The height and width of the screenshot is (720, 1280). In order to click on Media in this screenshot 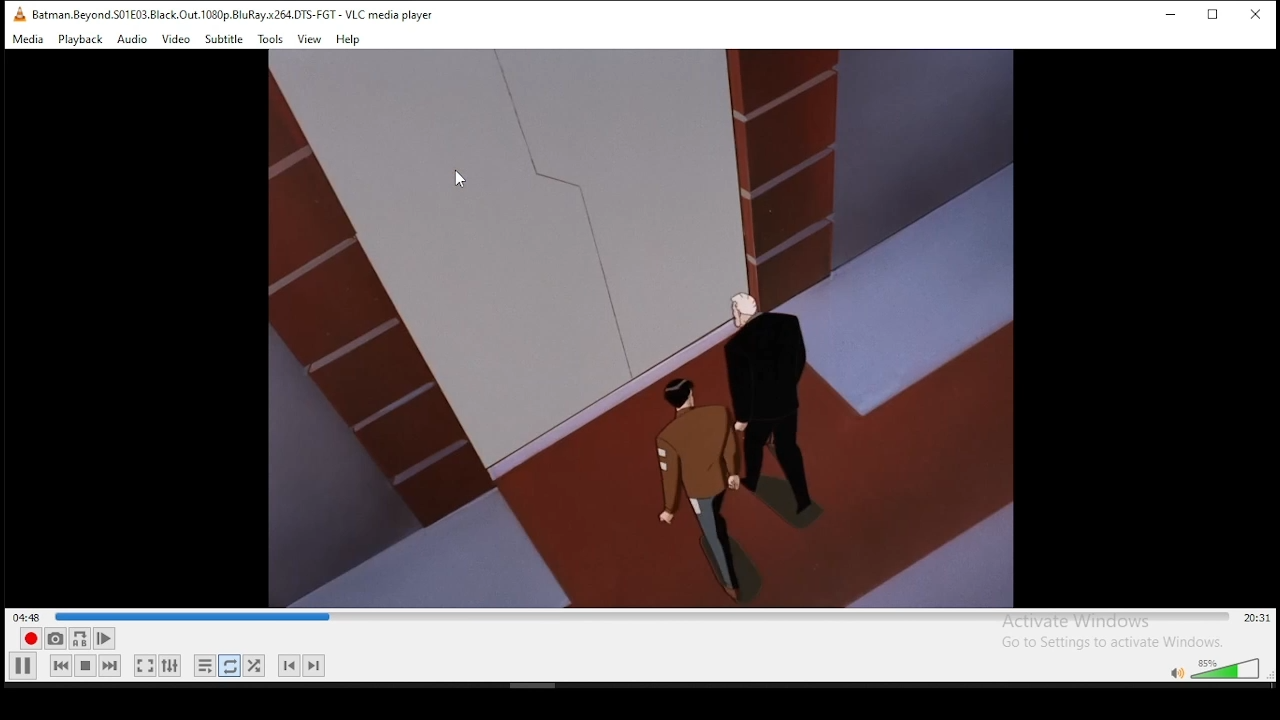, I will do `click(29, 40)`.